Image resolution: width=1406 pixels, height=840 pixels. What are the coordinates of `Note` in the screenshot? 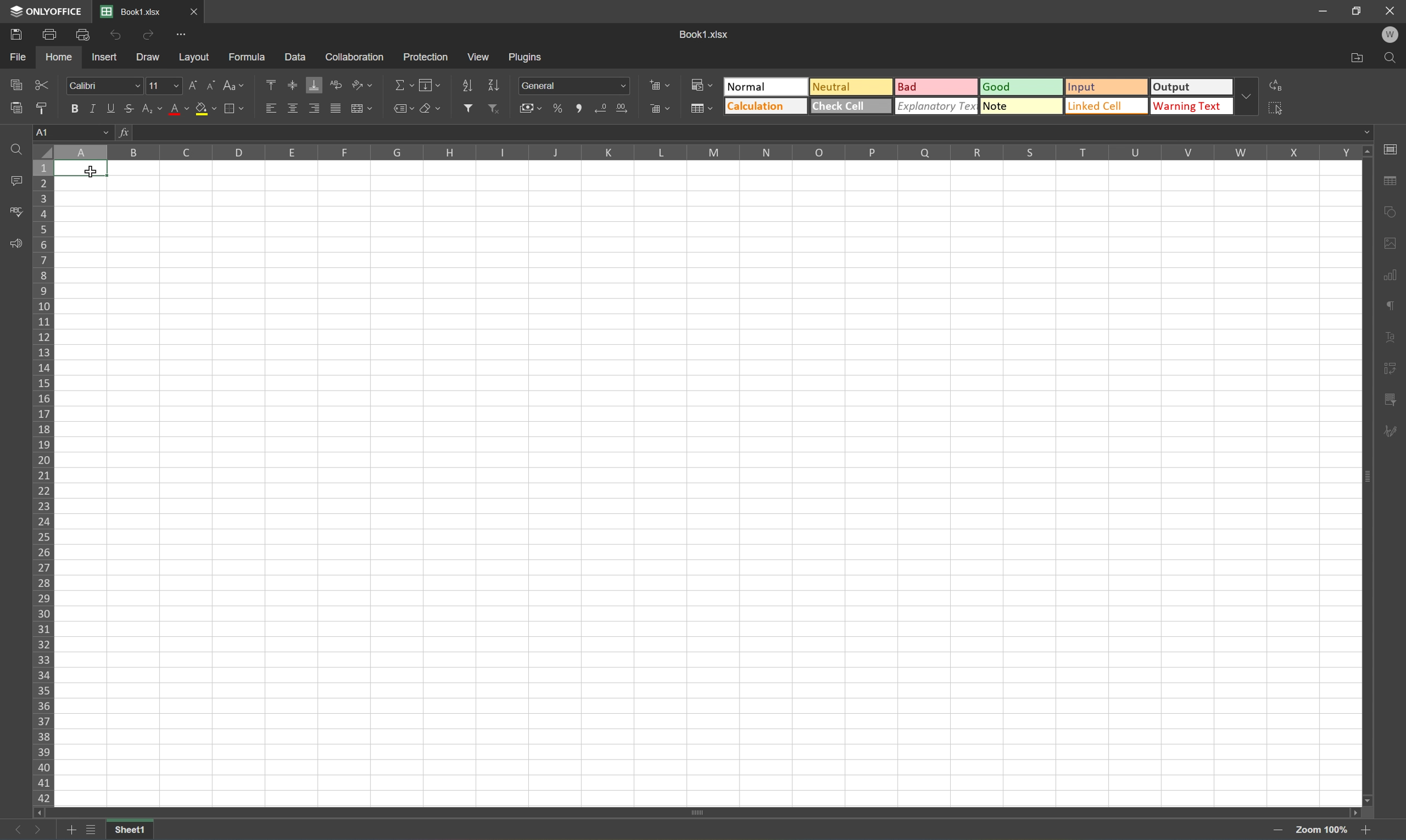 It's located at (1020, 106).